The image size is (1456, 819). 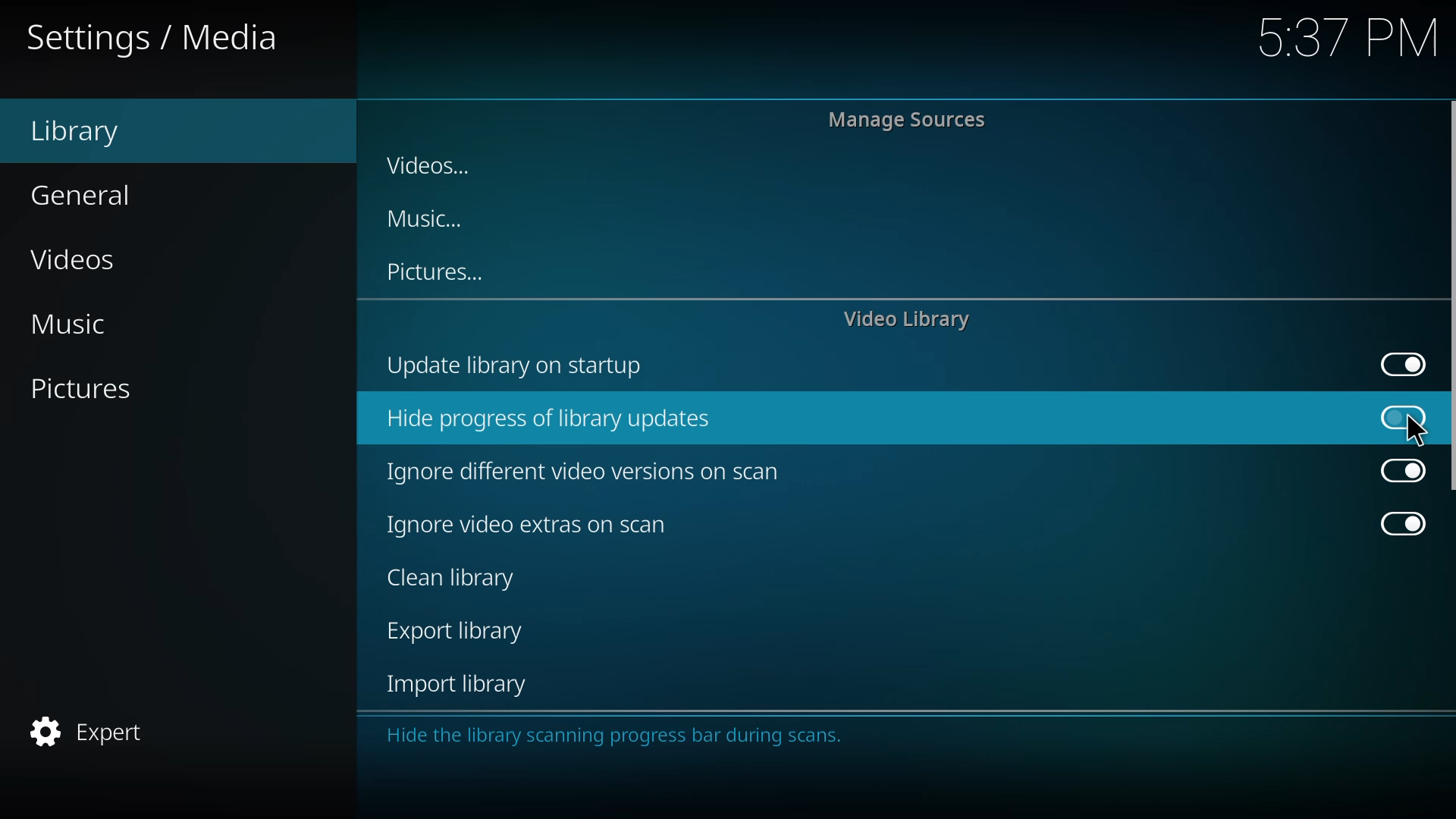 What do you see at coordinates (1395, 362) in the screenshot?
I see `enabled` at bounding box center [1395, 362].